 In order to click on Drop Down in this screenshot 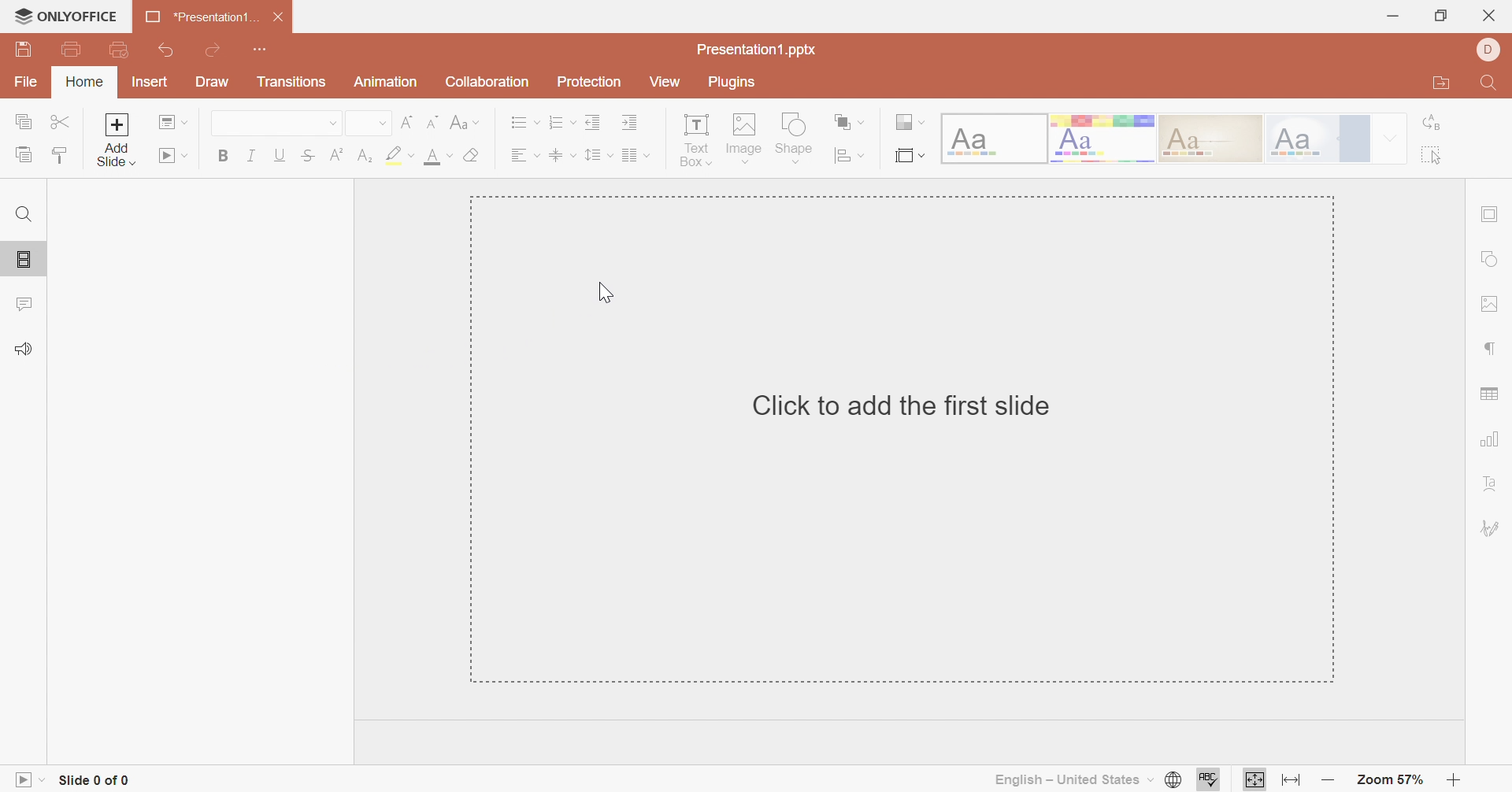, I will do `click(865, 156)`.